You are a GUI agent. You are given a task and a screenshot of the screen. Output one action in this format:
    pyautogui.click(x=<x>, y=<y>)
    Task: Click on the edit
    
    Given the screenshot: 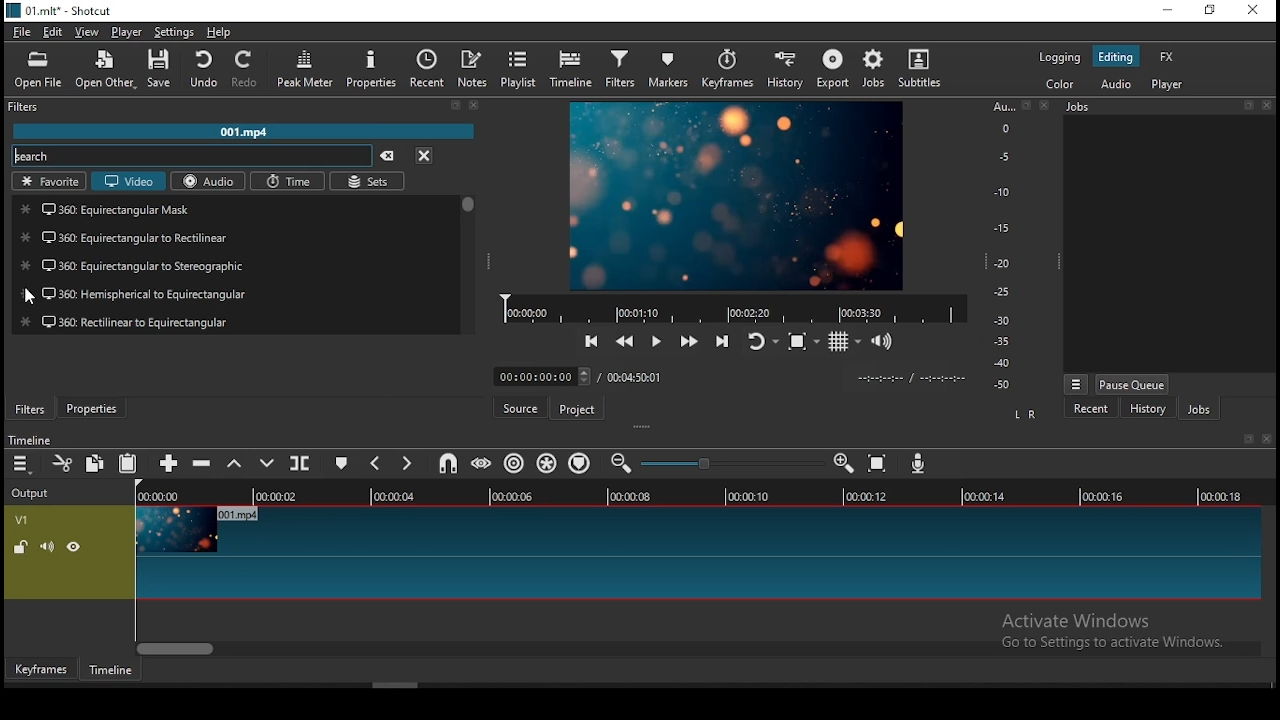 What is the action you would take?
    pyautogui.click(x=55, y=32)
    